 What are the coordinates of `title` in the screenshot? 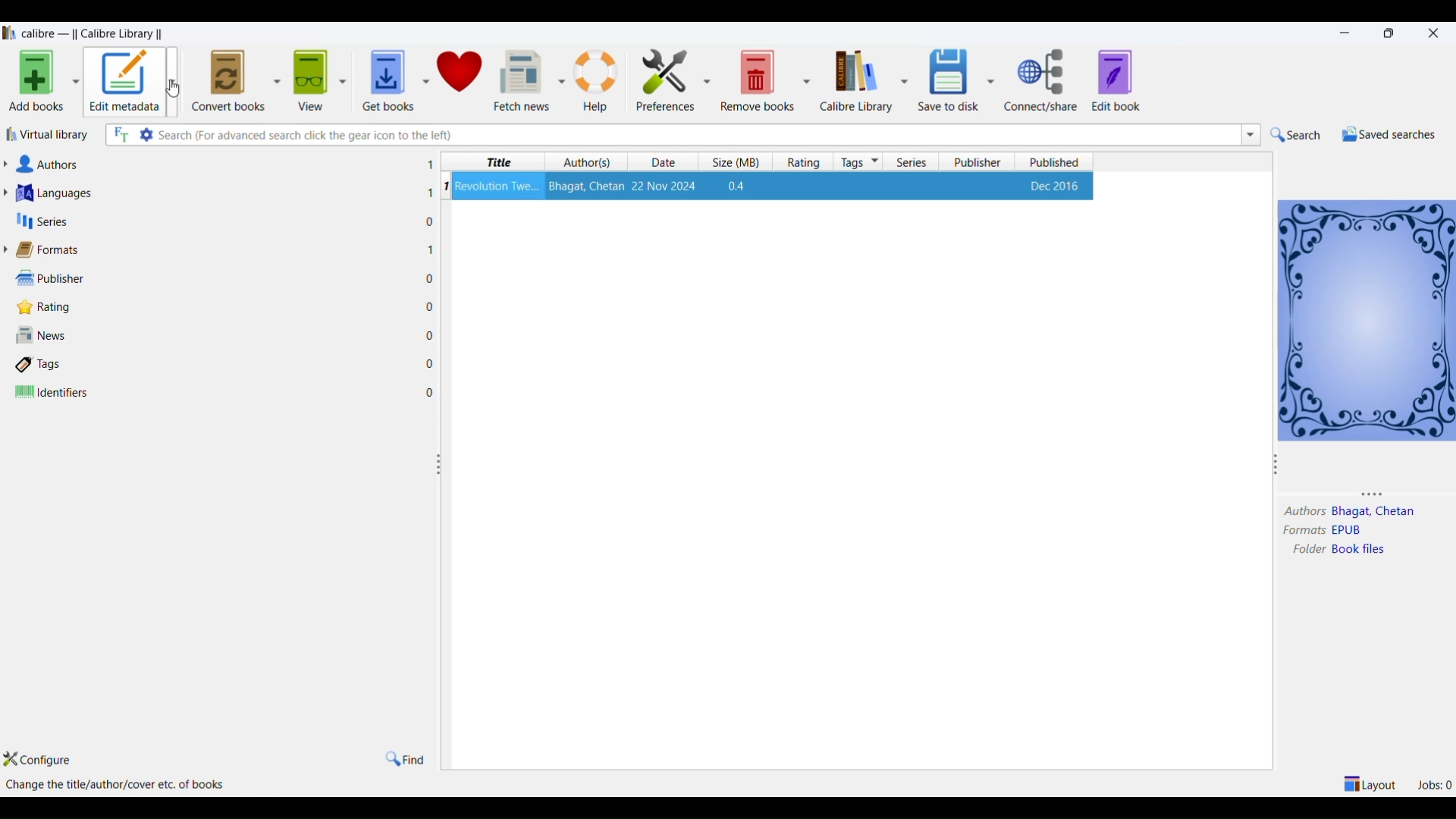 It's located at (495, 162).